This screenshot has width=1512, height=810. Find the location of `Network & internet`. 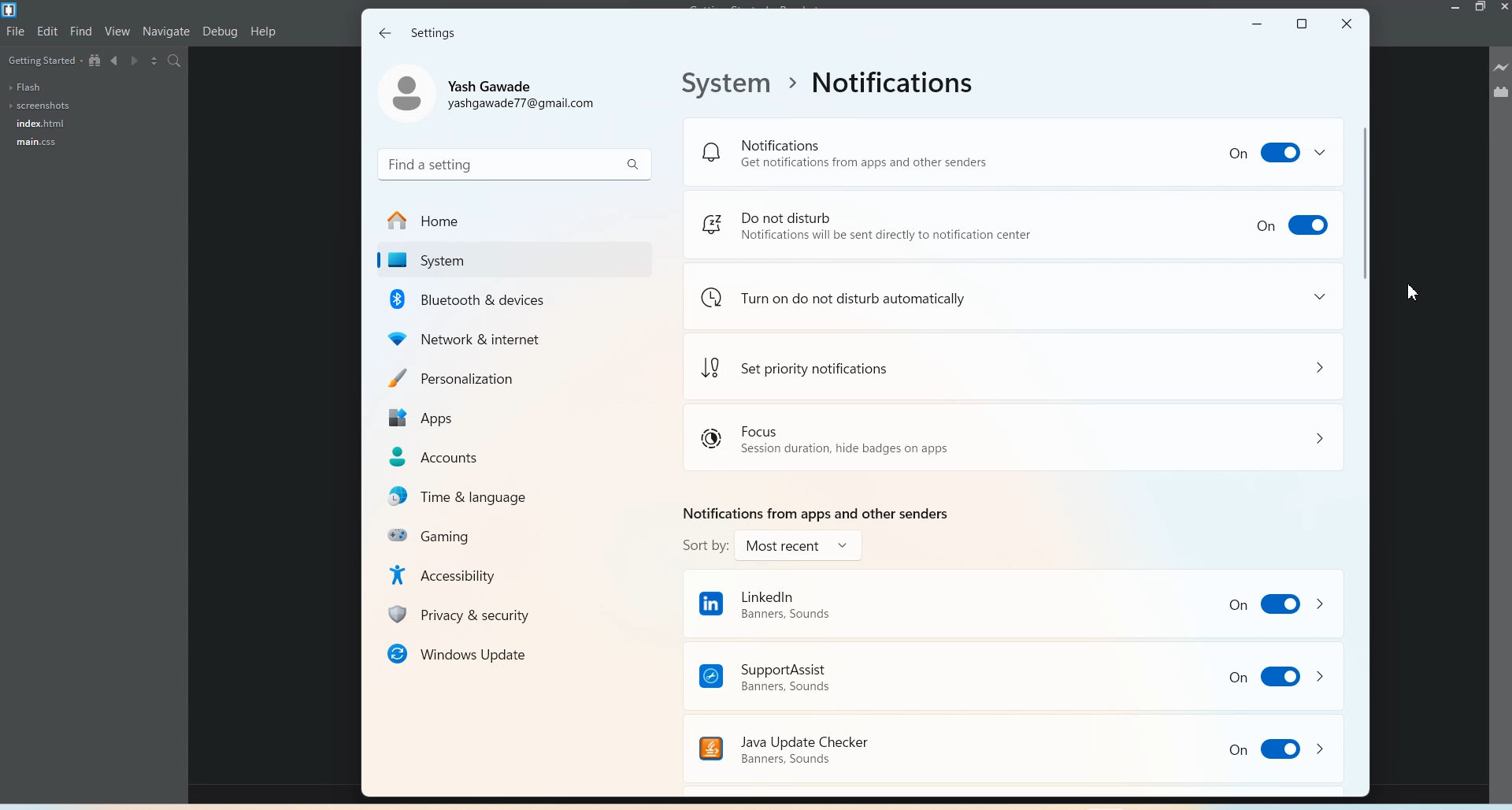

Network & internet is located at coordinates (507, 337).